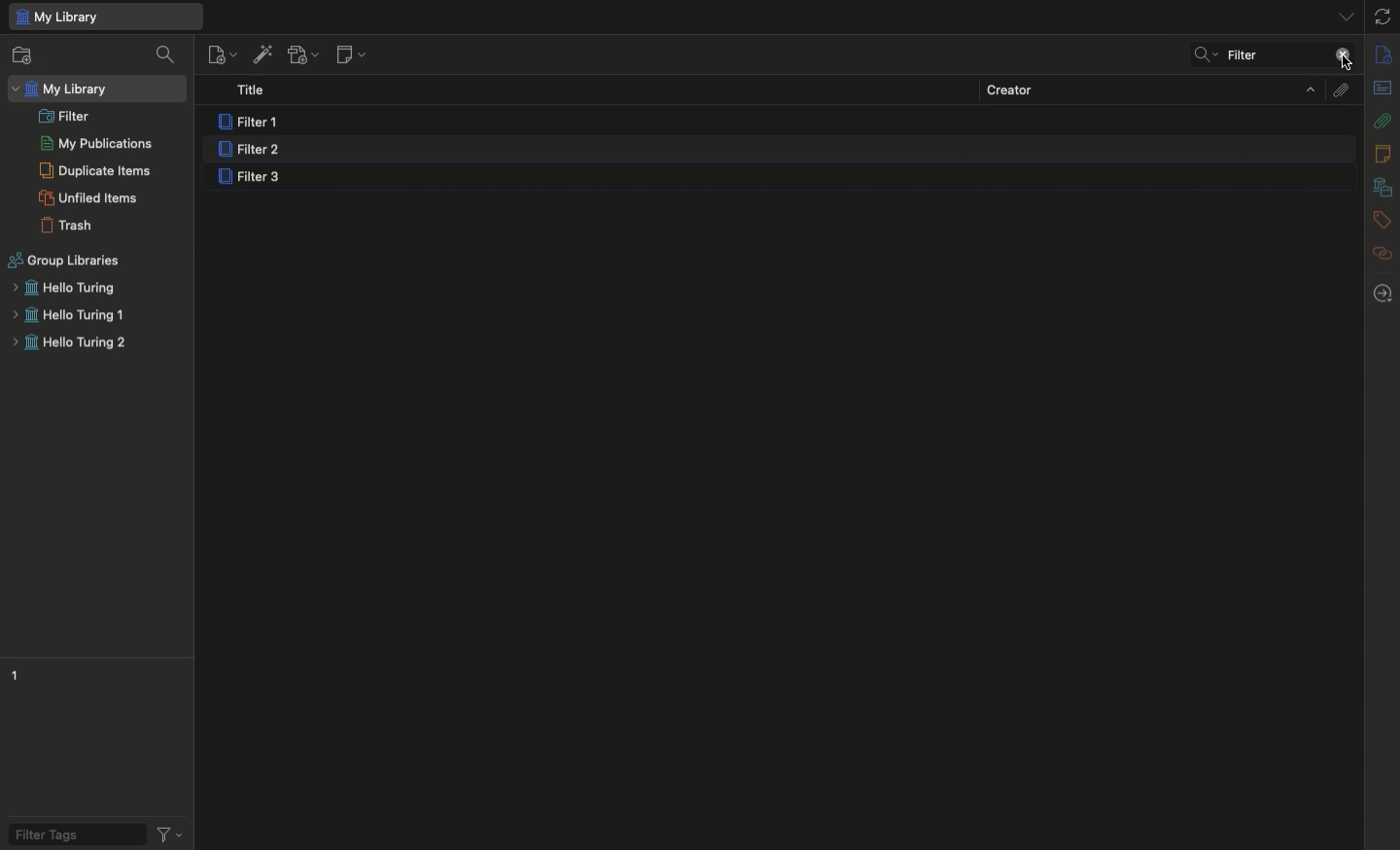 Image resolution: width=1400 pixels, height=850 pixels. What do you see at coordinates (222, 53) in the screenshot?
I see `New item` at bounding box center [222, 53].